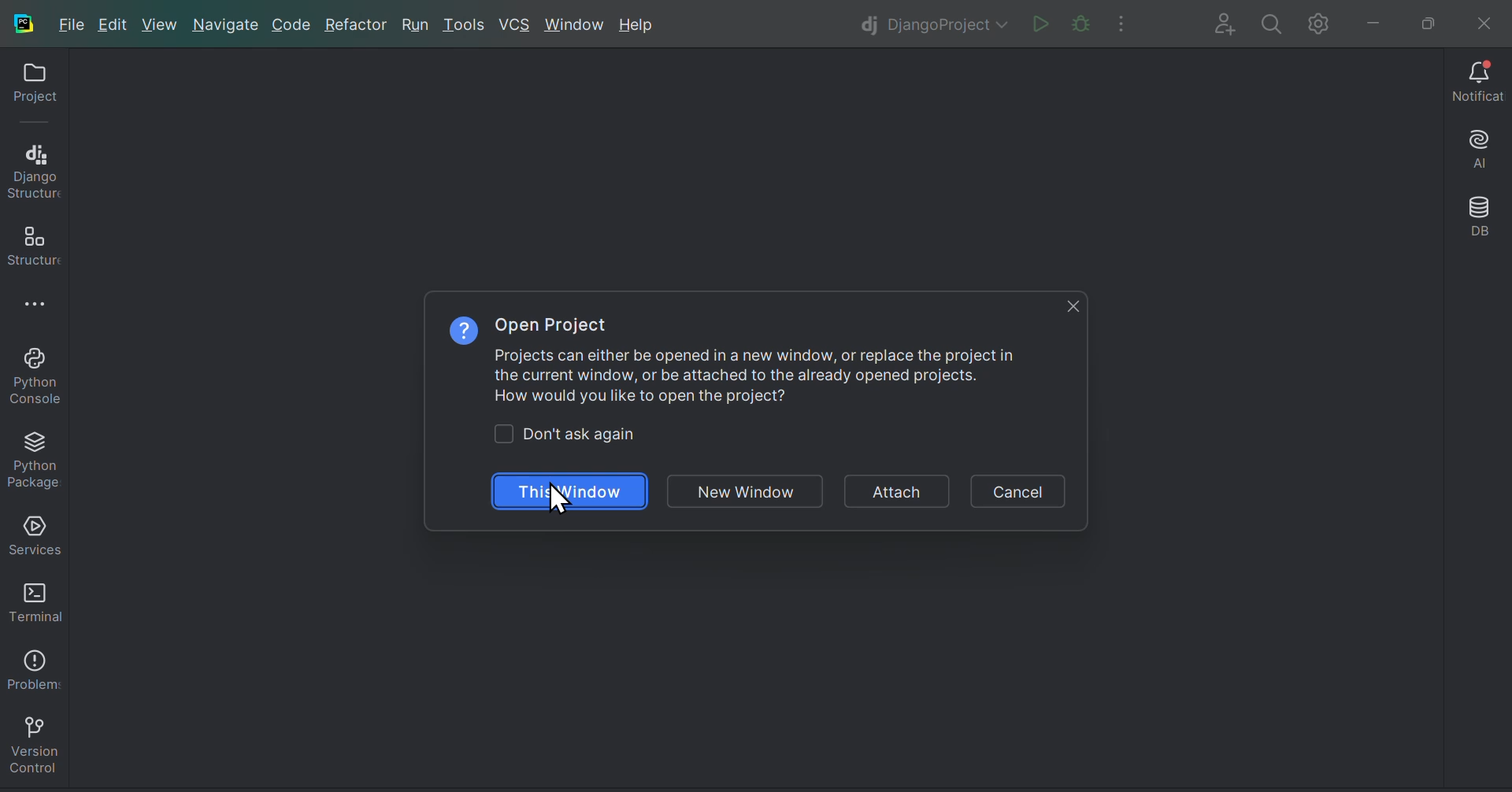 This screenshot has height=792, width=1512. What do you see at coordinates (224, 24) in the screenshot?
I see `Navigate` at bounding box center [224, 24].